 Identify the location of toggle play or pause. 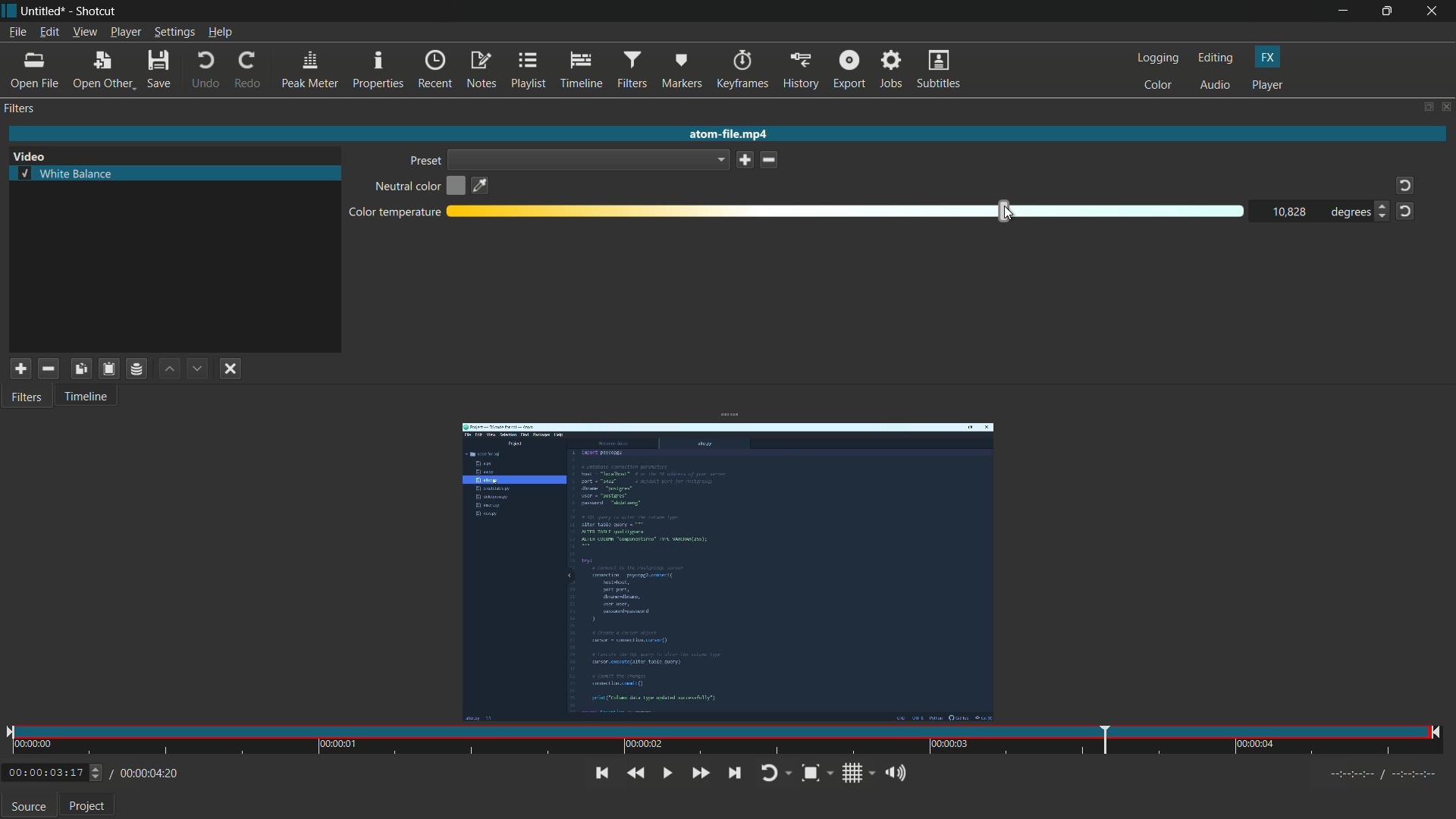
(665, 773).